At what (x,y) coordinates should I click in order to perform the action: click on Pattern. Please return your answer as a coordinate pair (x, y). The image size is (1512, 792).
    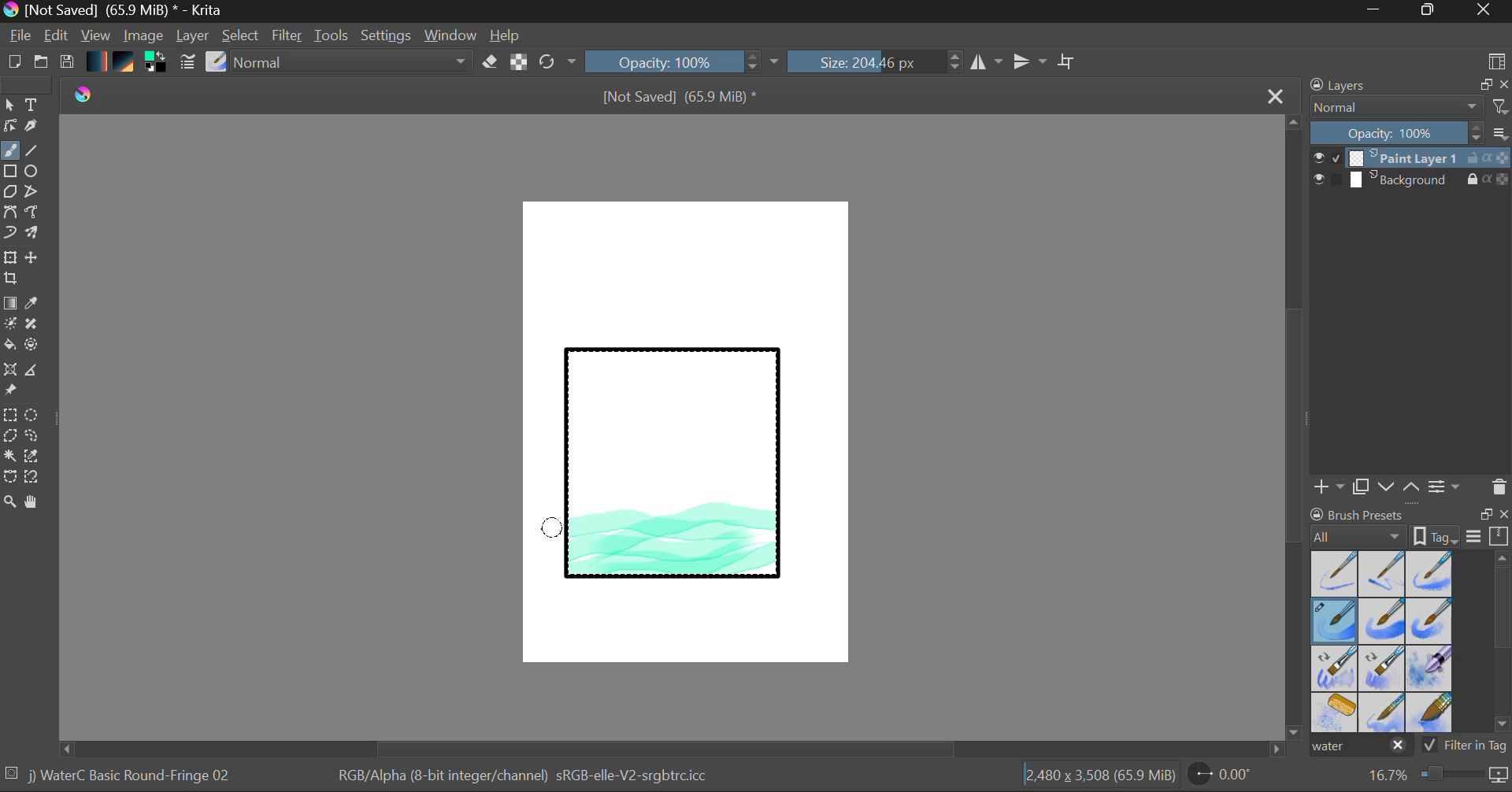
    Looking at the image, I should click on (126, 63).